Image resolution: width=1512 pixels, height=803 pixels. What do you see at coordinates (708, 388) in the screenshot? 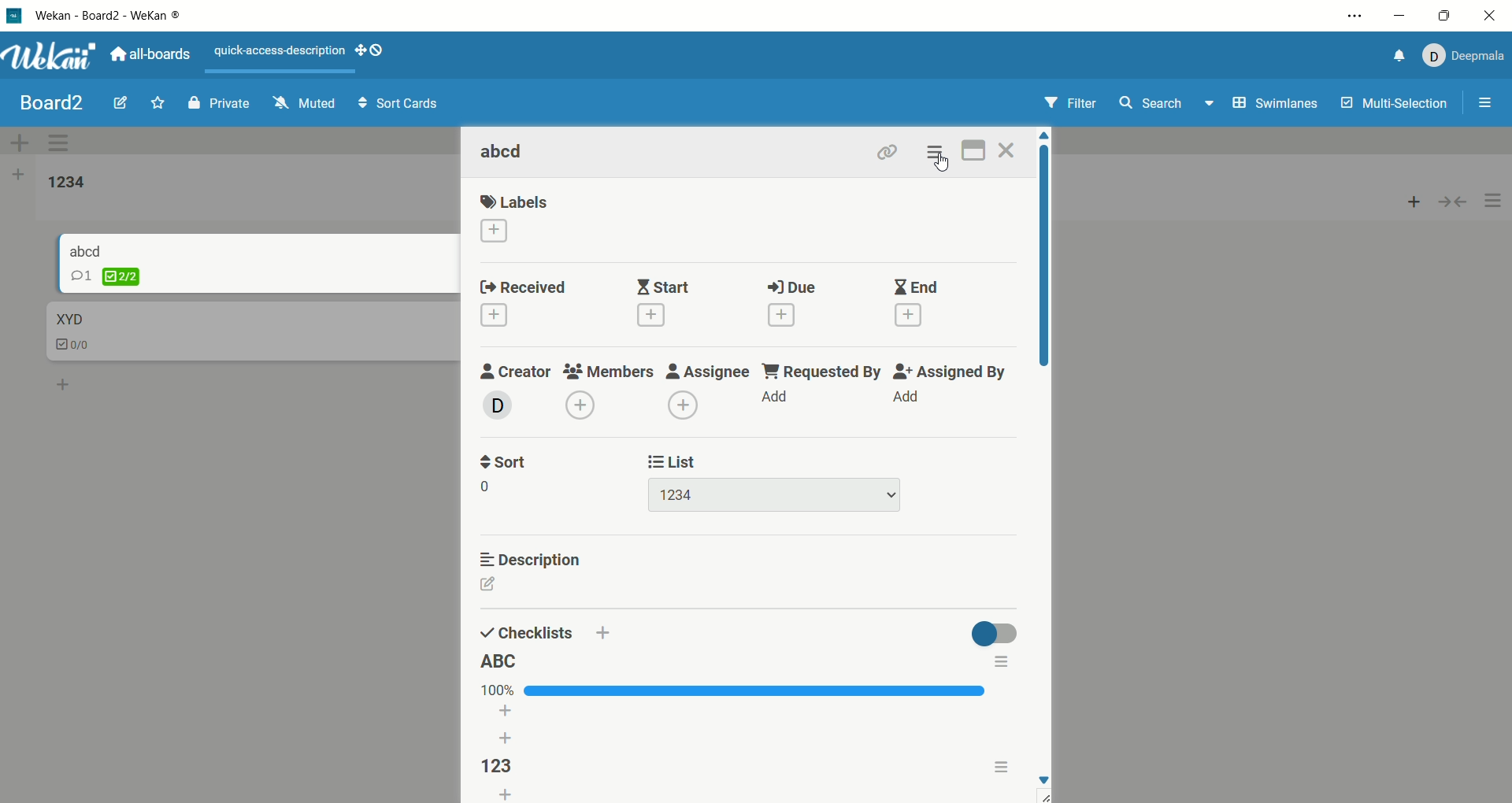
I see `assignee` at bounding box center [708, 388].